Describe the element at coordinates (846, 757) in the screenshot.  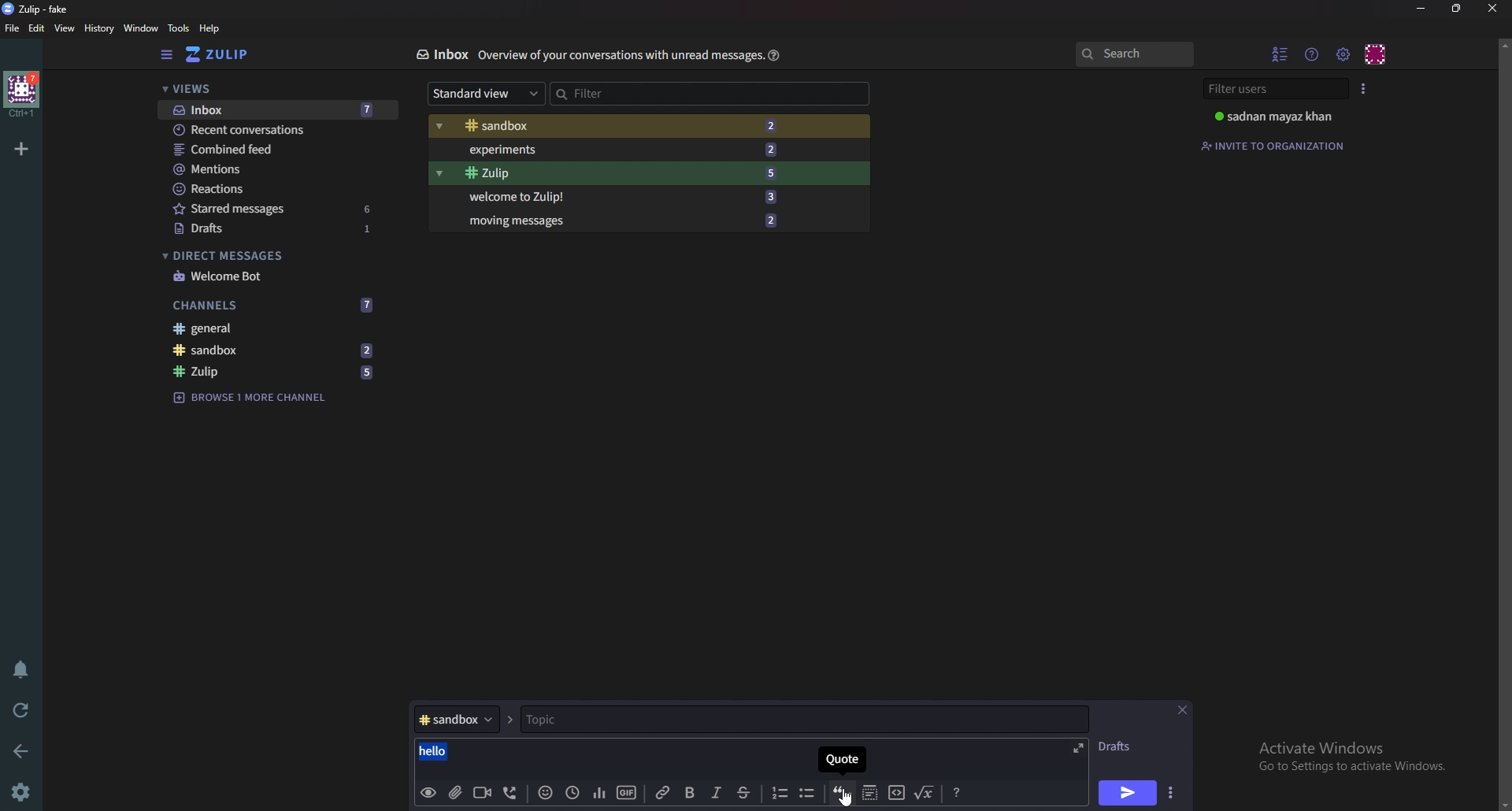
I see `quote` at that location.